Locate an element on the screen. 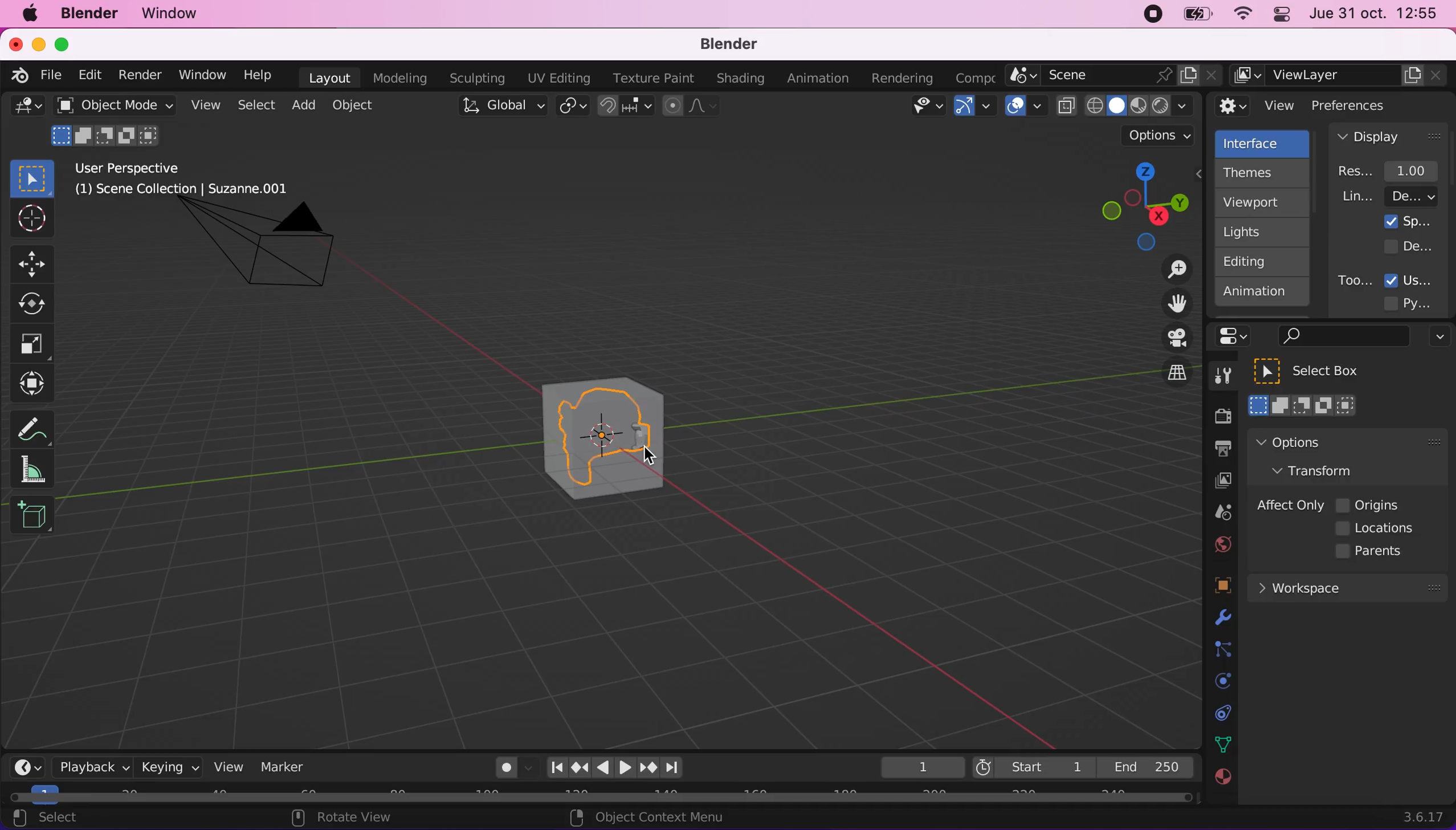 This screenshot has height=830, width=1456. recording stopped is located at coordinates (1148, 16).